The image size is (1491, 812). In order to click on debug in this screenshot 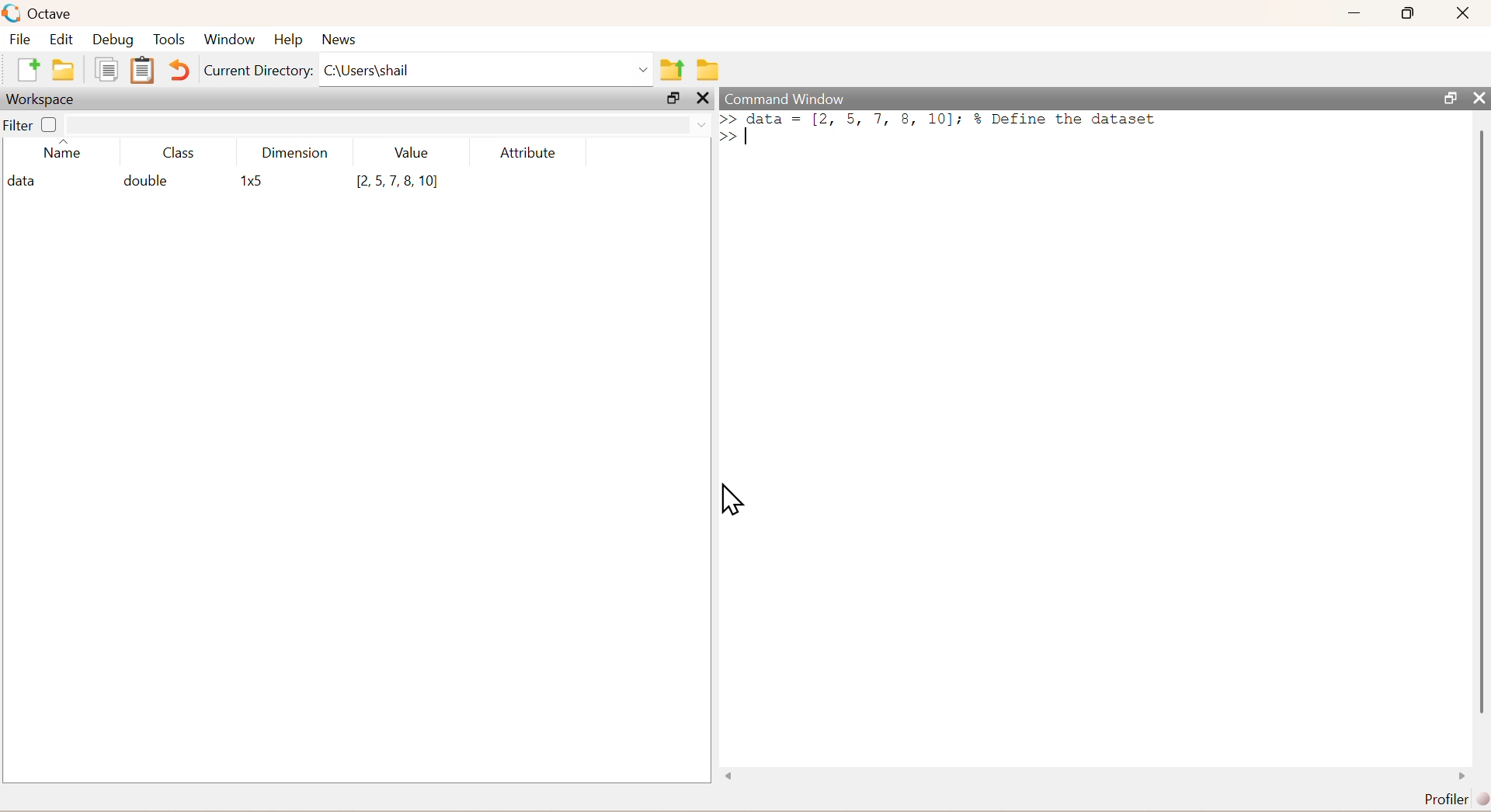, I will do `click(113, 40)`.